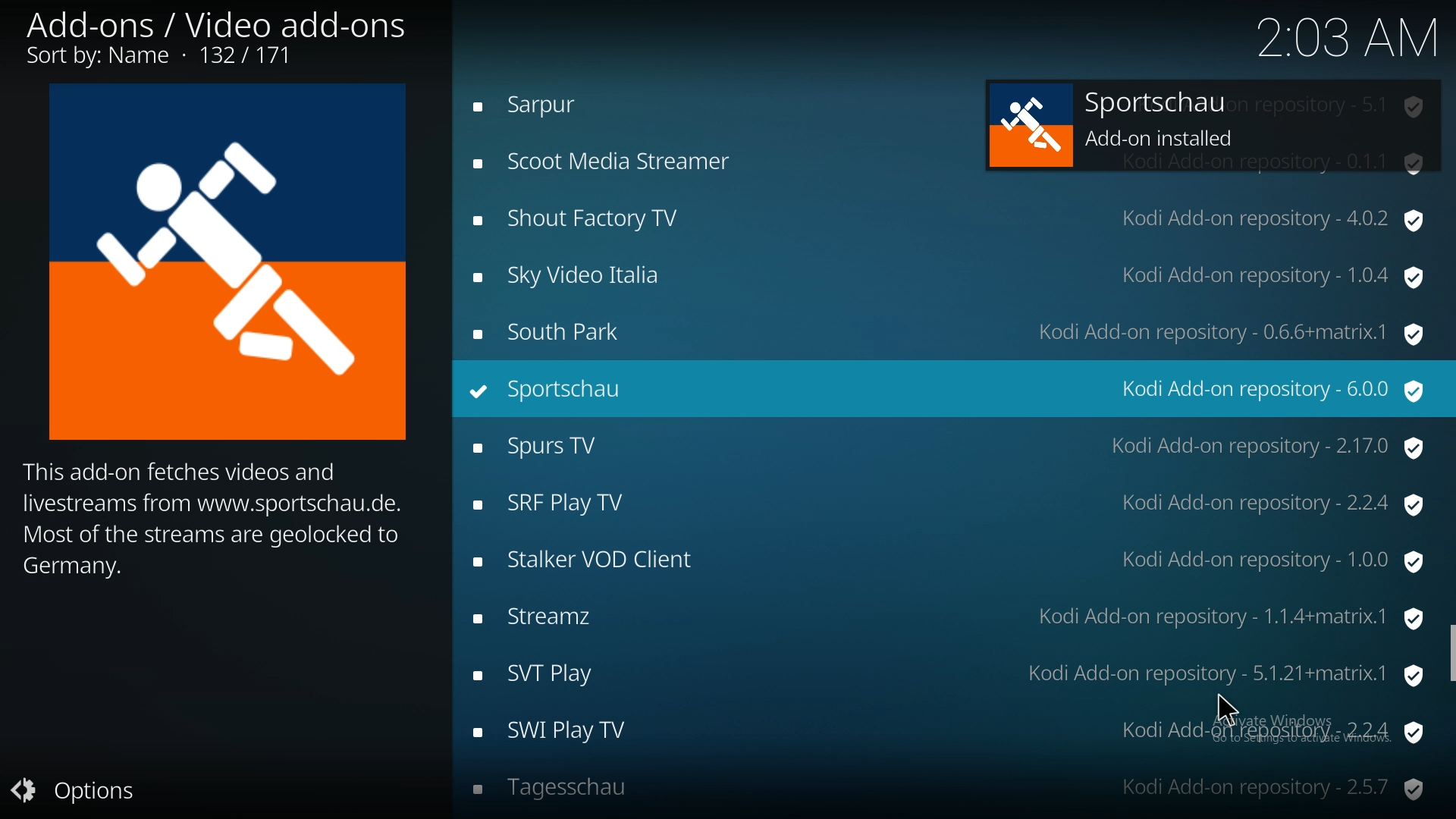 Image resolution: width=1456 pixels, height=819 pixels. What do you see at coordinates (206, 526) in the screenshot?
I see `info` at bounding box center [206, 526].